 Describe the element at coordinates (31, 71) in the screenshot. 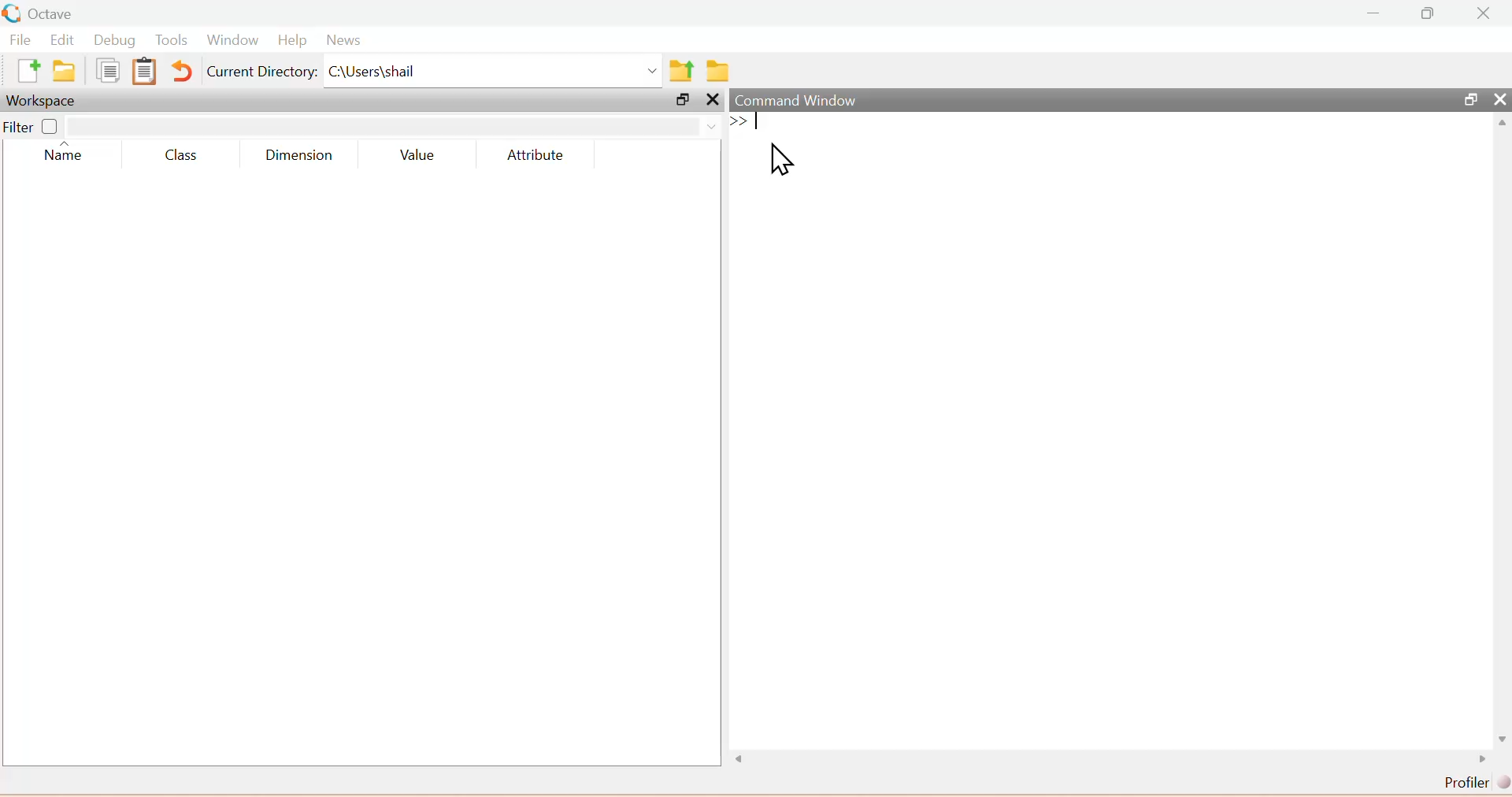

I see `new script` at that location.